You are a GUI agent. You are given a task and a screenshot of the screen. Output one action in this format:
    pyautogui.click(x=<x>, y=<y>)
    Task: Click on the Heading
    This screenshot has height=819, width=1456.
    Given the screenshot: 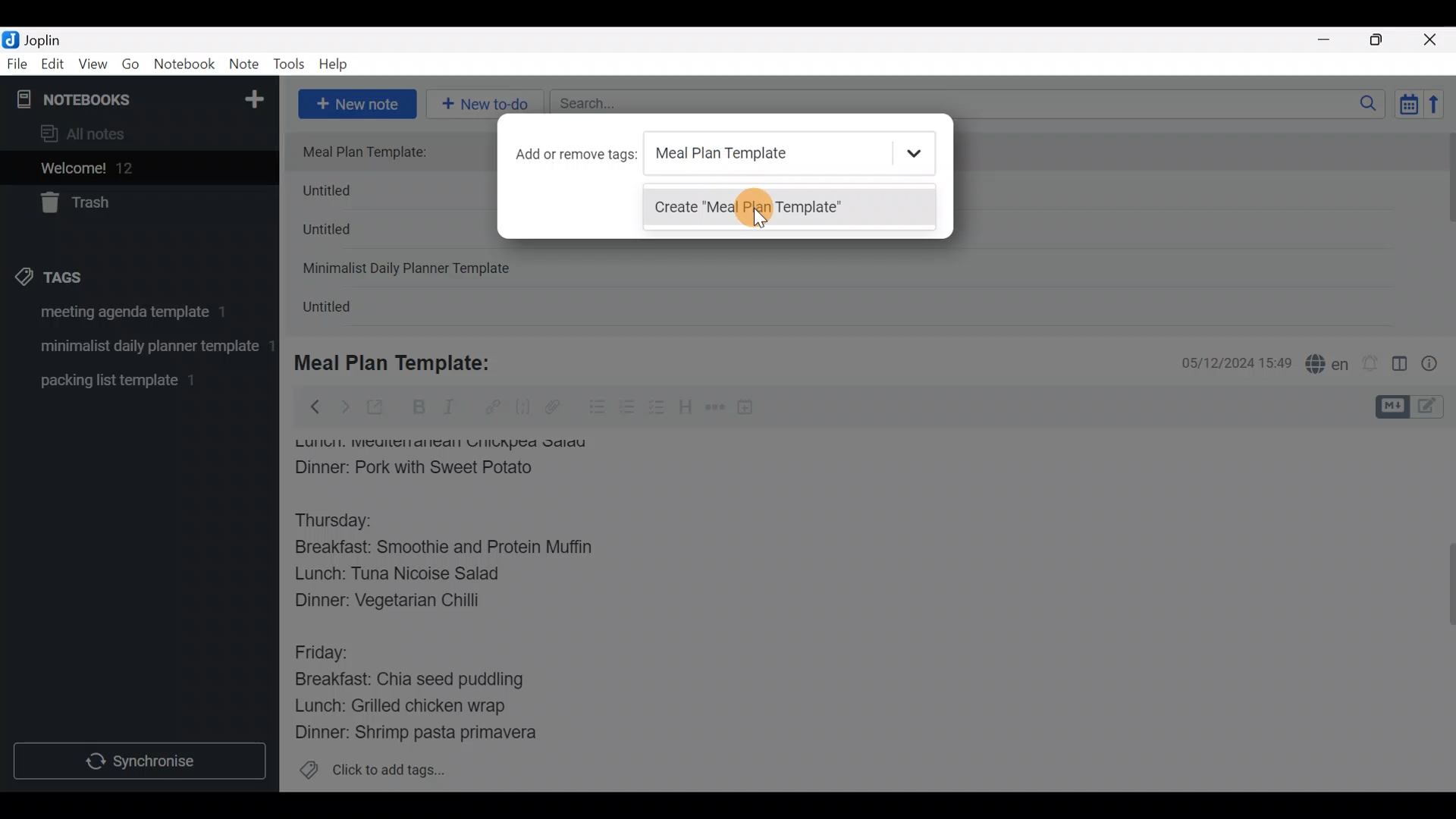 What is the action you would take?
    pyautogui.click(x=686, y=409)
    